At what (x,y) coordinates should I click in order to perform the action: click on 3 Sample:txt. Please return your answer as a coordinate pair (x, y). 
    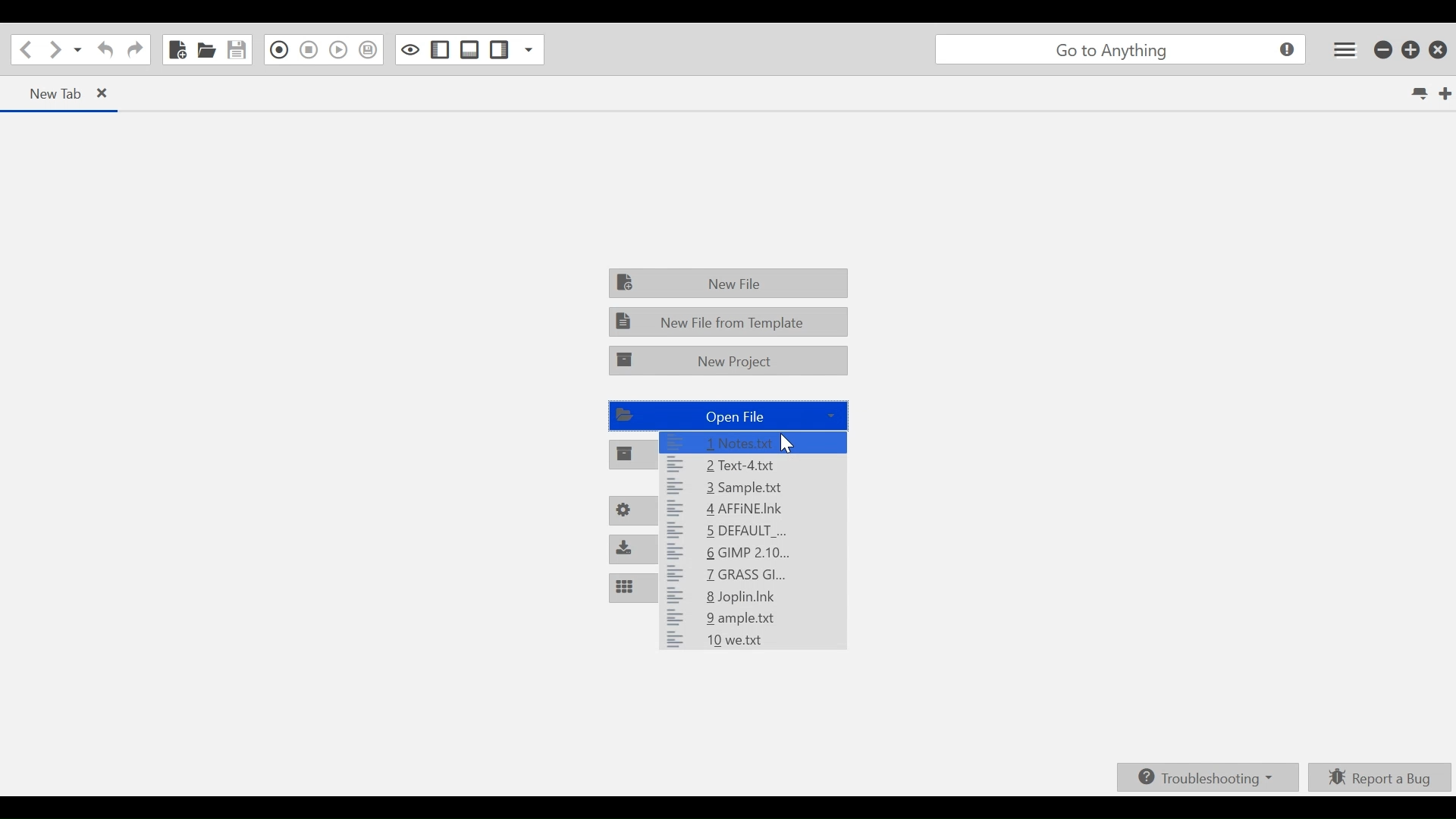
    Looking at the image, I should click on (748, 485).